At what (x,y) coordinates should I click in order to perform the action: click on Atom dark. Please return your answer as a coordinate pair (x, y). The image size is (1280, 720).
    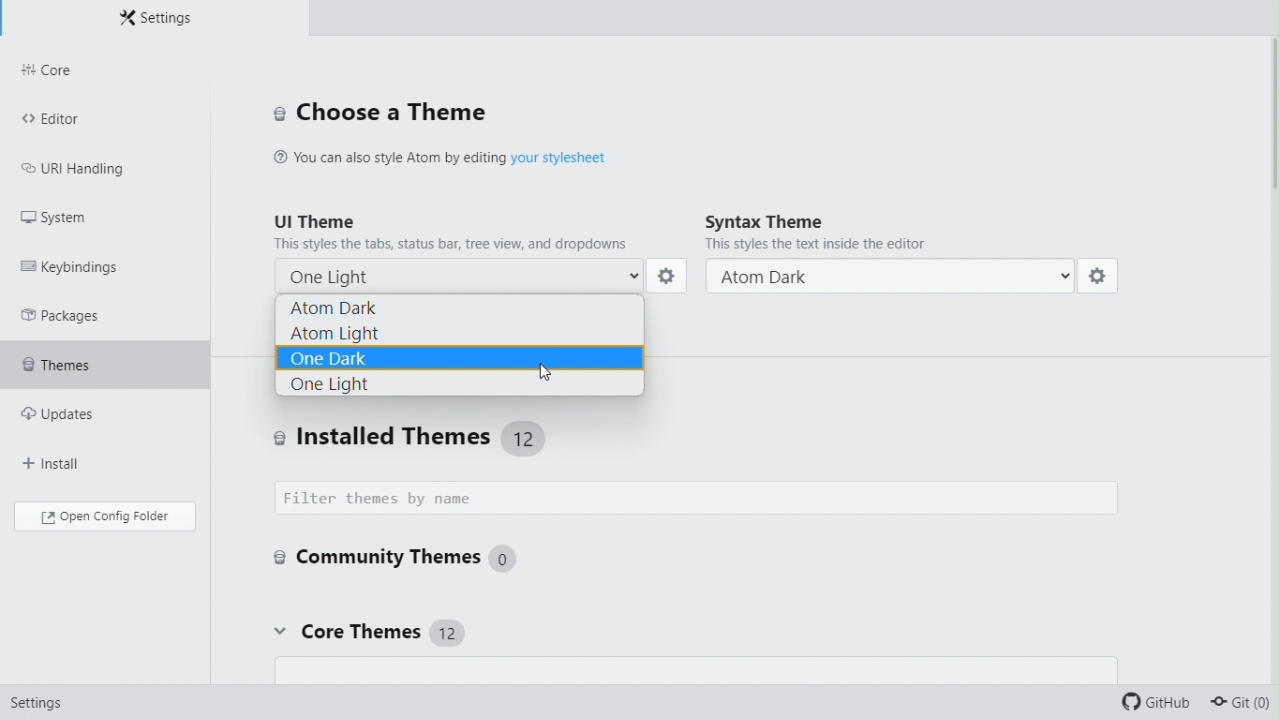
    Looking at the image, I should click on (466, 307).